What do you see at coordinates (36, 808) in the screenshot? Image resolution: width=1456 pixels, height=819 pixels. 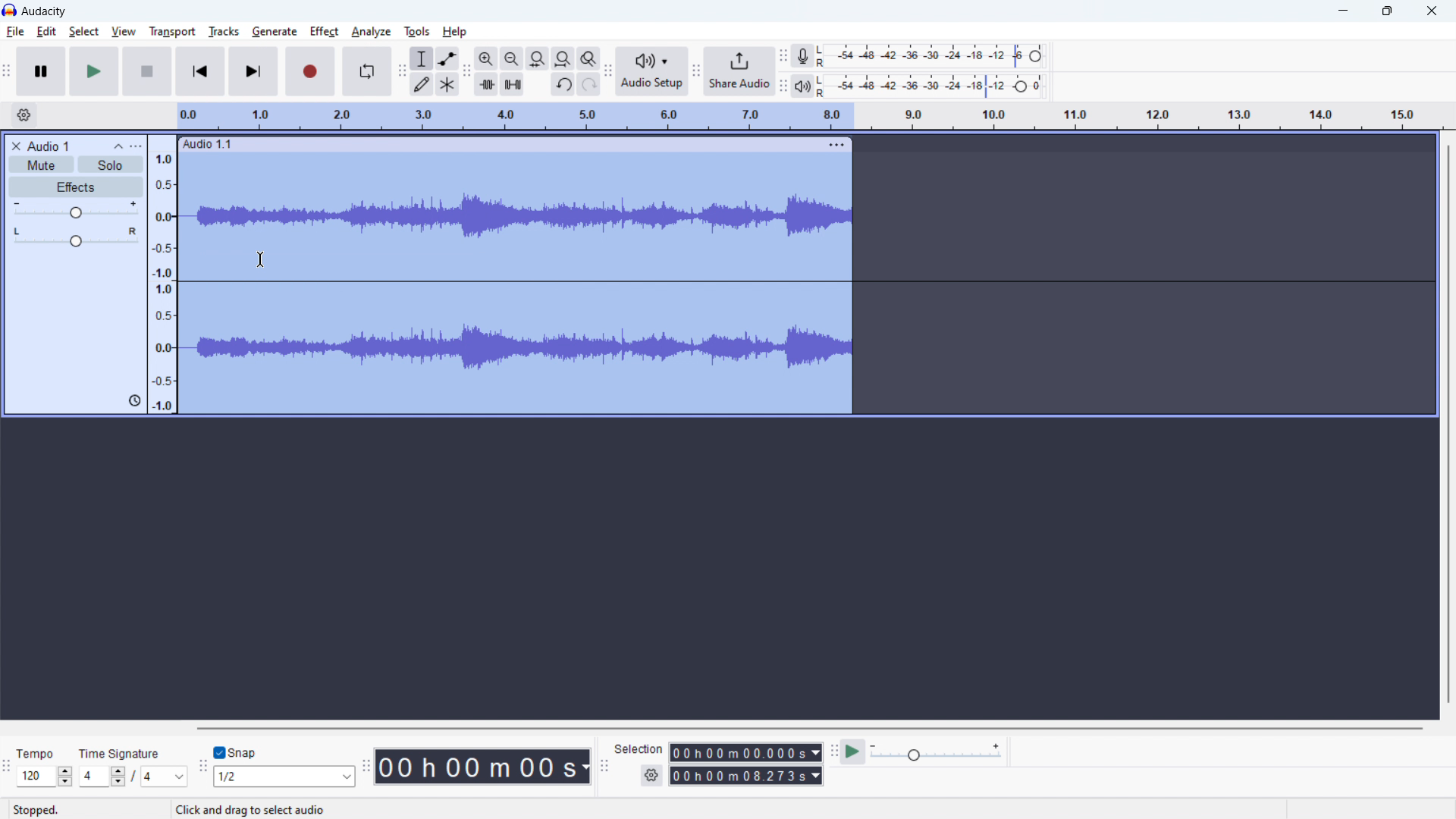 I see `Stopped` at bounding box center [36, 808].